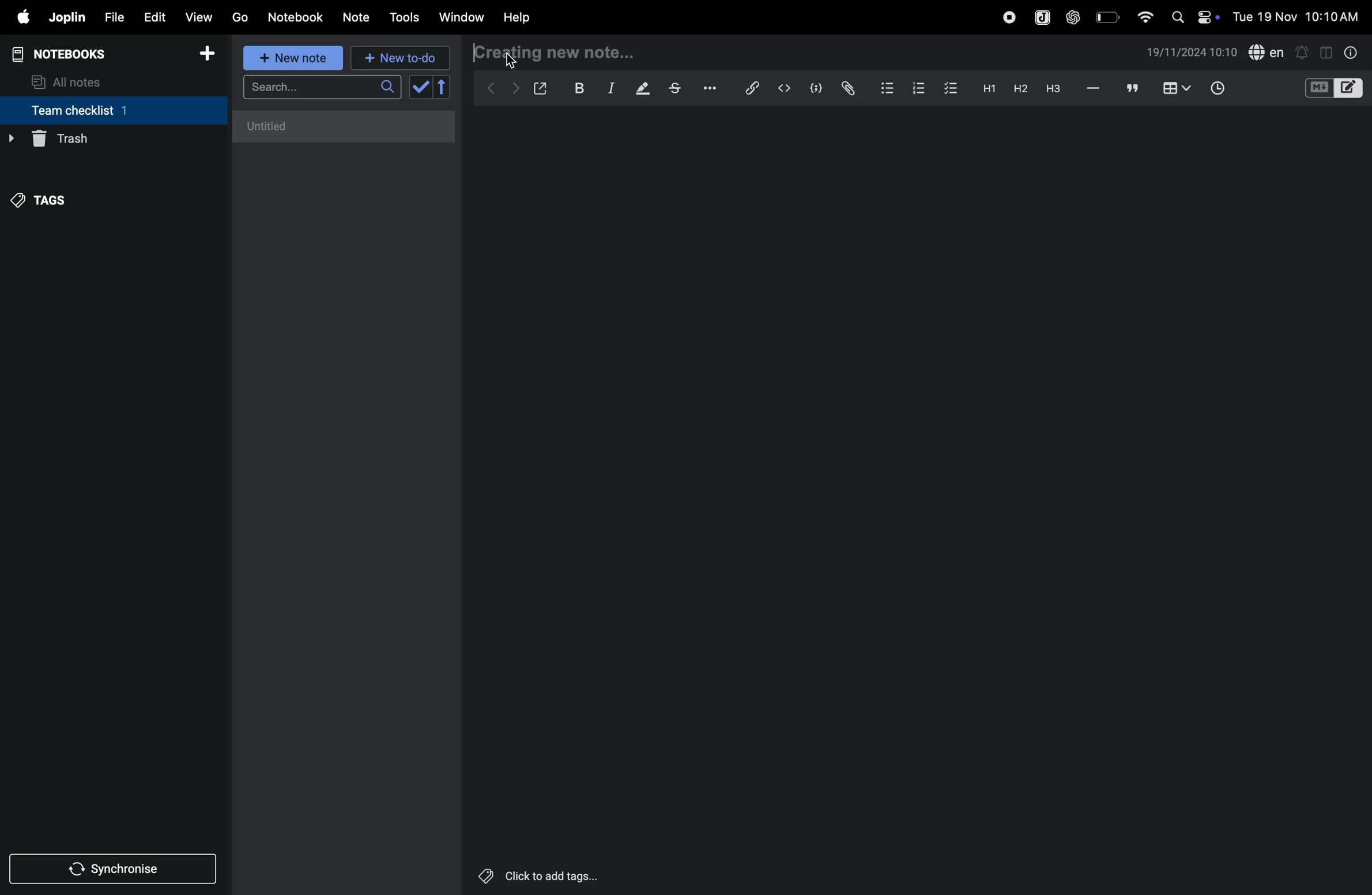  I want to click on M+, so click(1318, 88).